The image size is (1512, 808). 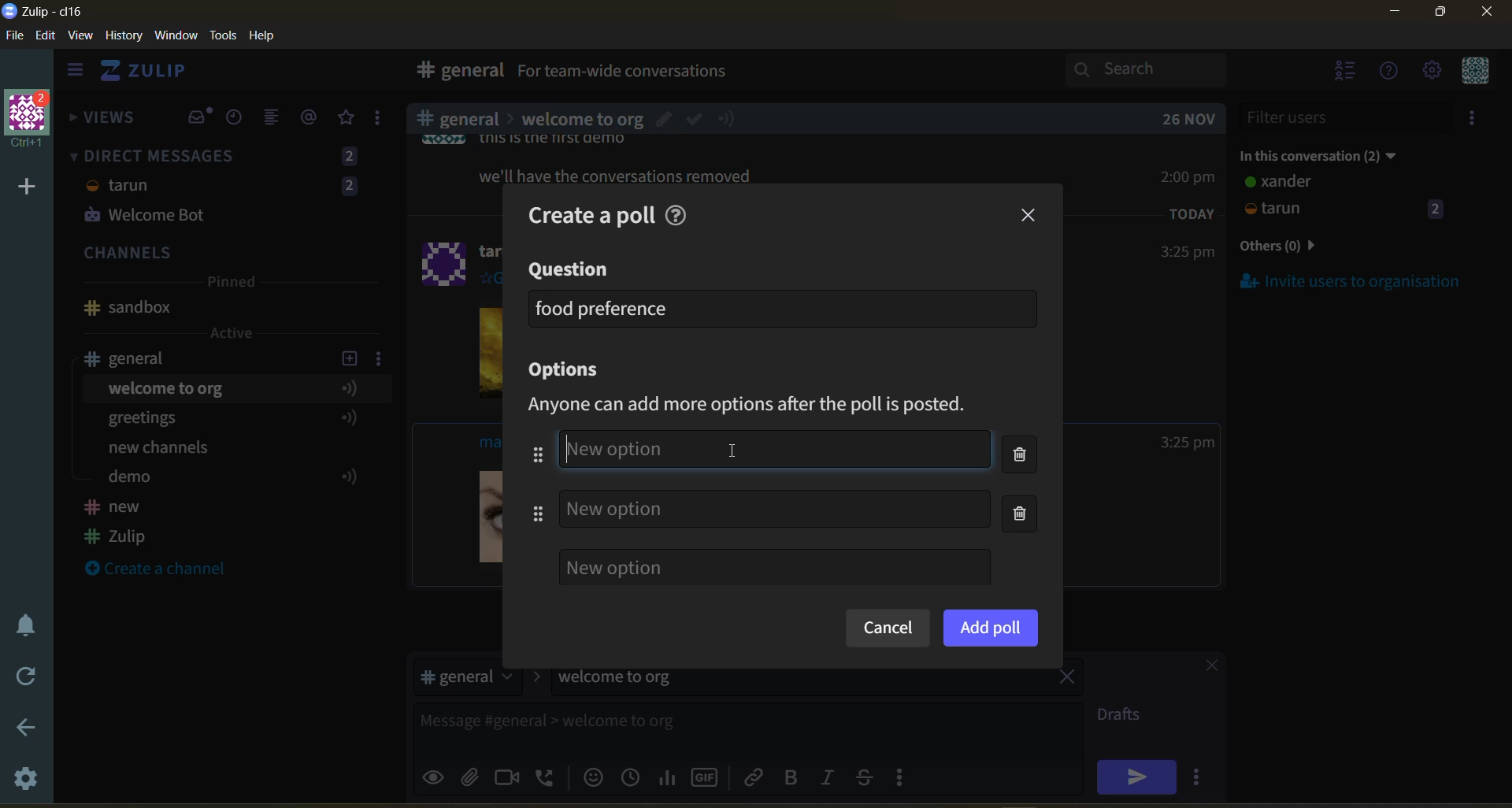 I want to click on send, so click(x=1136, y=776).